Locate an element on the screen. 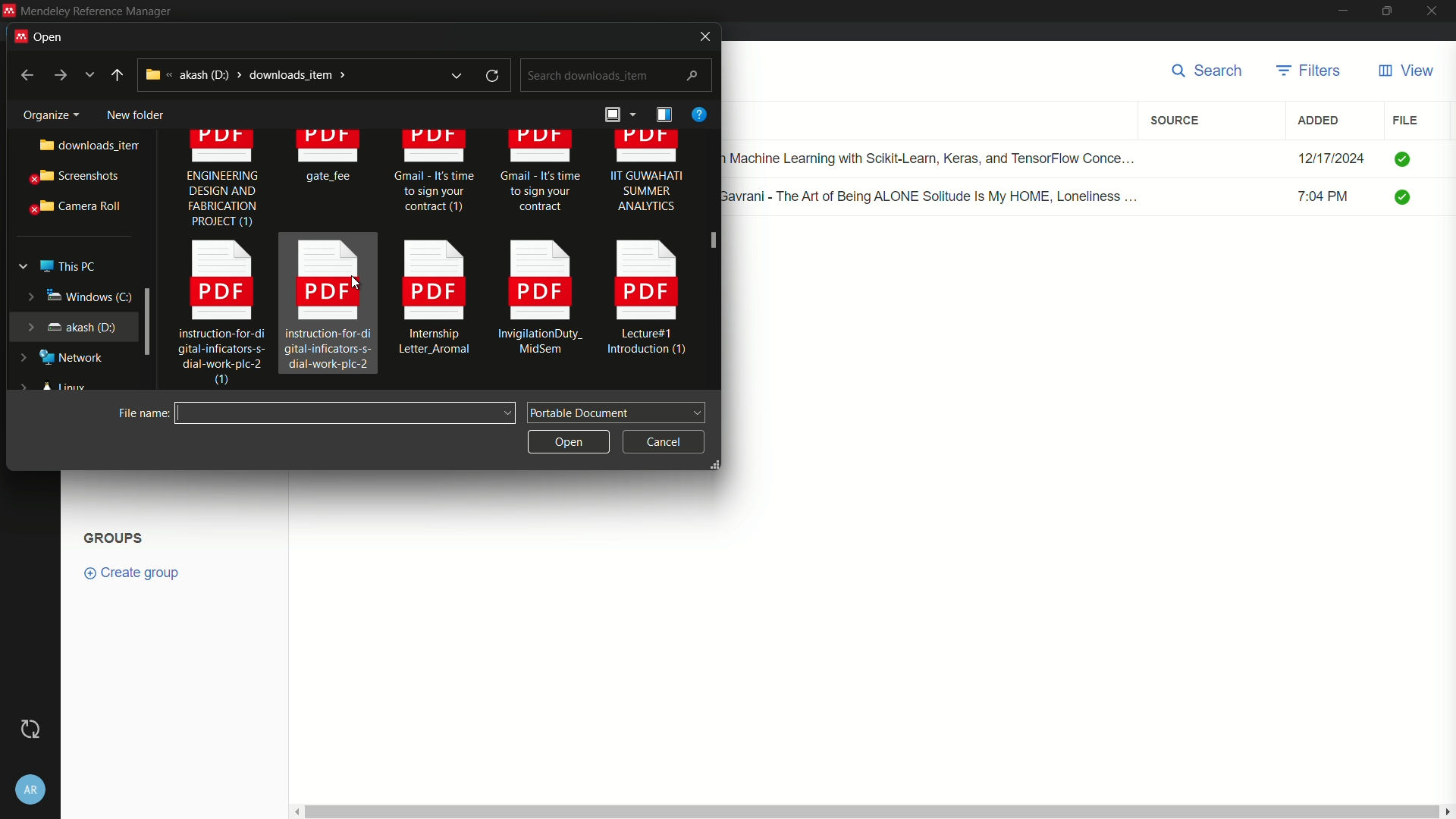 The width and height of the screenshot is (1456, 819). camera roll is located at coordinates (72, 207).